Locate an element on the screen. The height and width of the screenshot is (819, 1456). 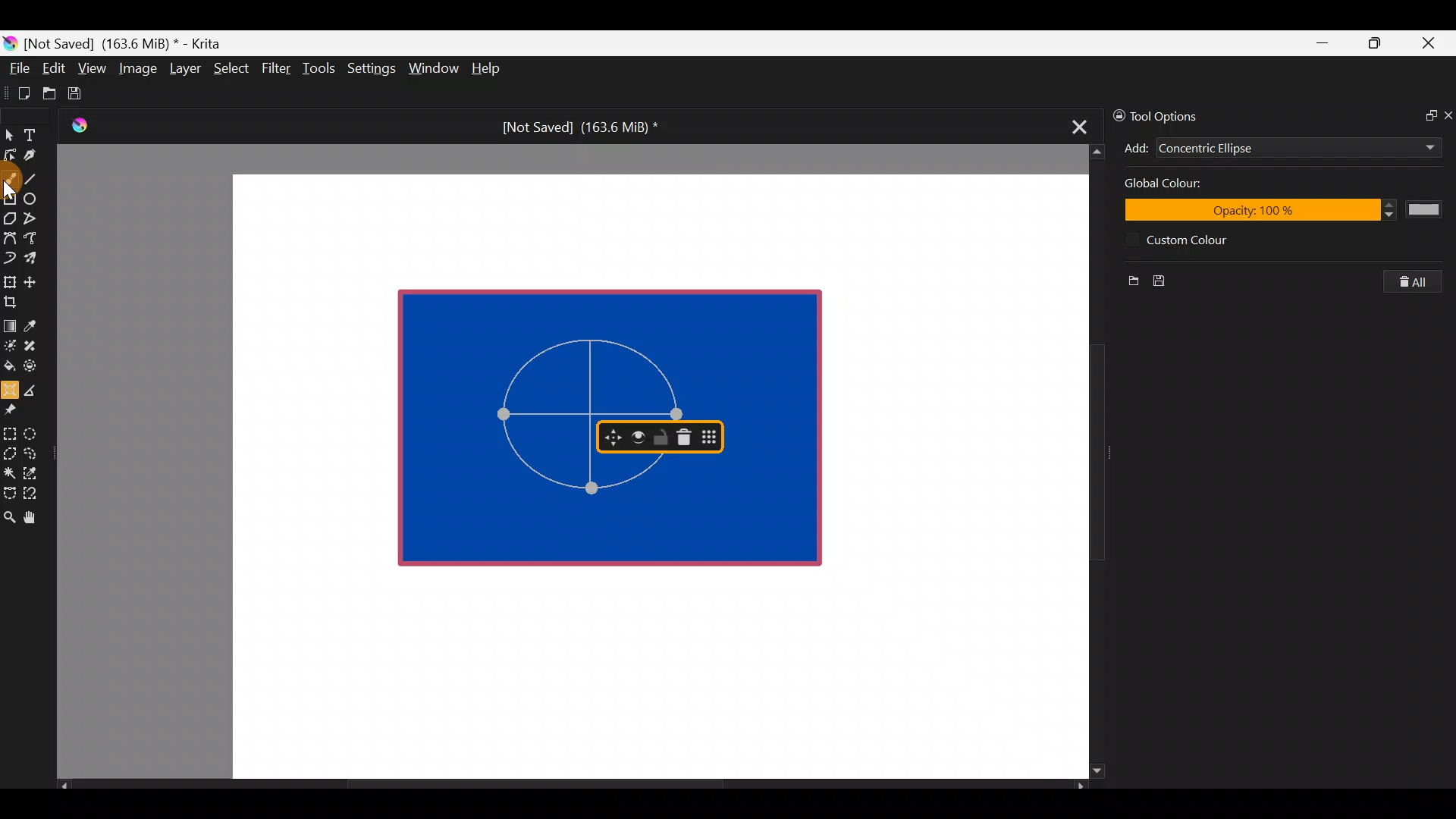
Similar color selection tool is located at coordinates (33, 472).